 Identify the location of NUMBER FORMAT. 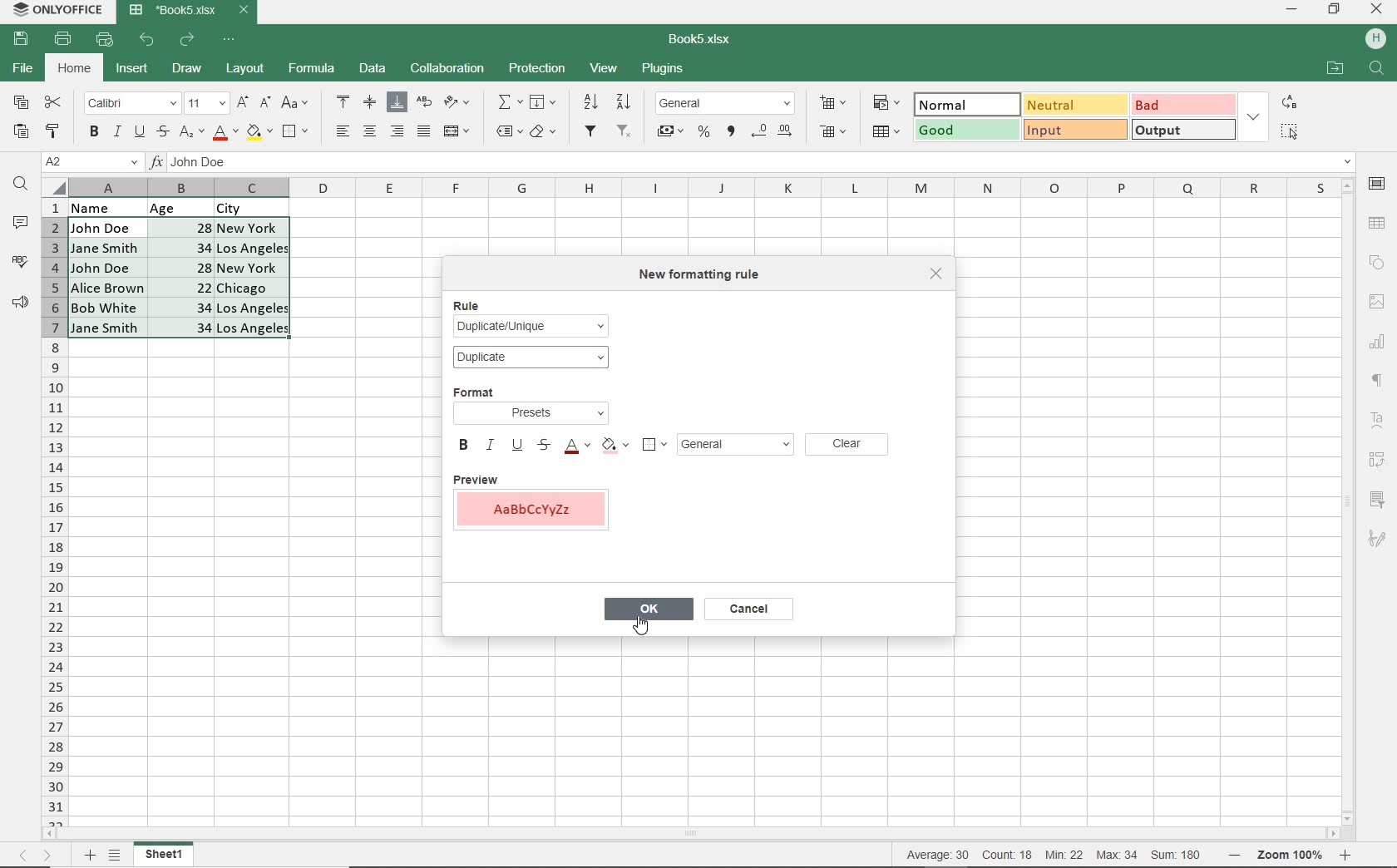
(727, 102).